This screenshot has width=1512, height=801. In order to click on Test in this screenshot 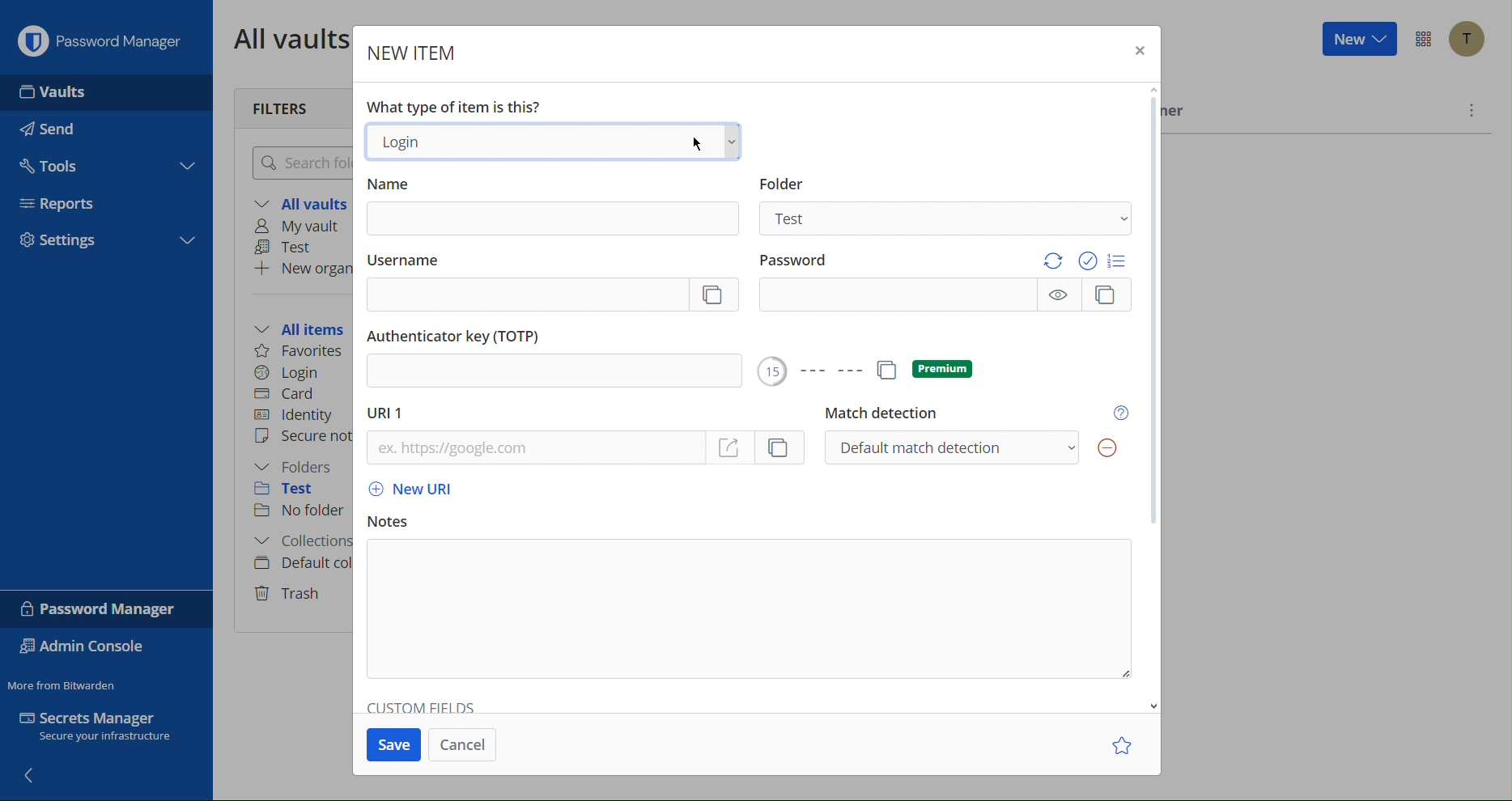, I will do `click(289, 489)`.